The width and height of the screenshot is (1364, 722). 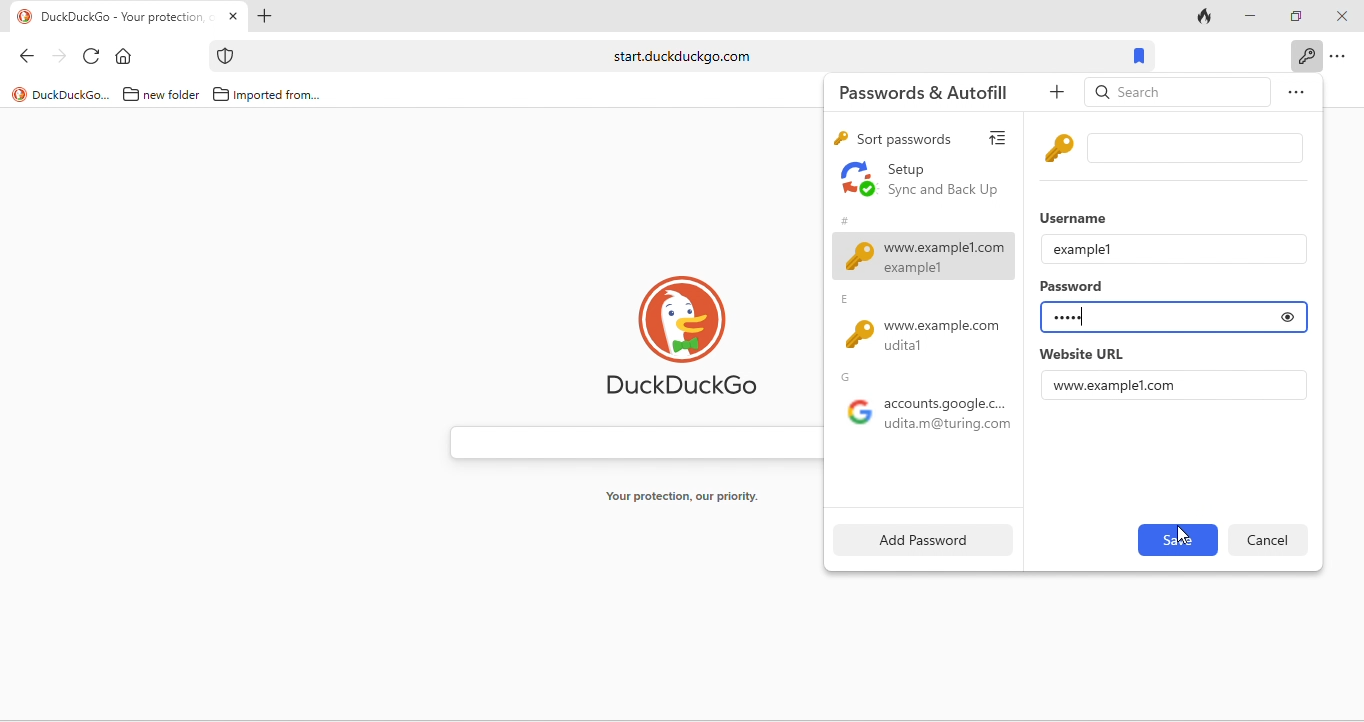 What do you see at coordinates (1340, 17) in the screenshot?
I see `close` at bounding box center [1340, 17].